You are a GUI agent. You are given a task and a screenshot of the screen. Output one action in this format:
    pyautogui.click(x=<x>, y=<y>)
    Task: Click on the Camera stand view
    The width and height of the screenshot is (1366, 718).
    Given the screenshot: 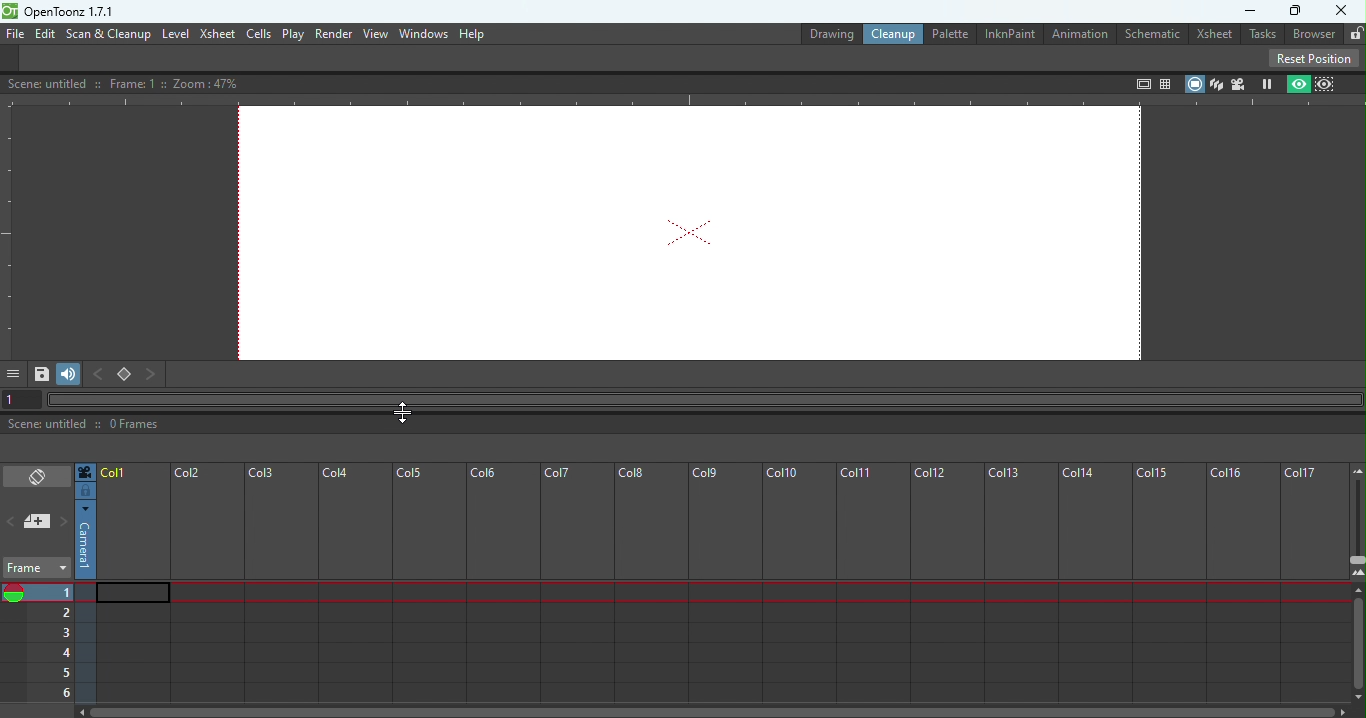 What is the action you would take?
    pyautogui.click(x=1193, y=83)
    